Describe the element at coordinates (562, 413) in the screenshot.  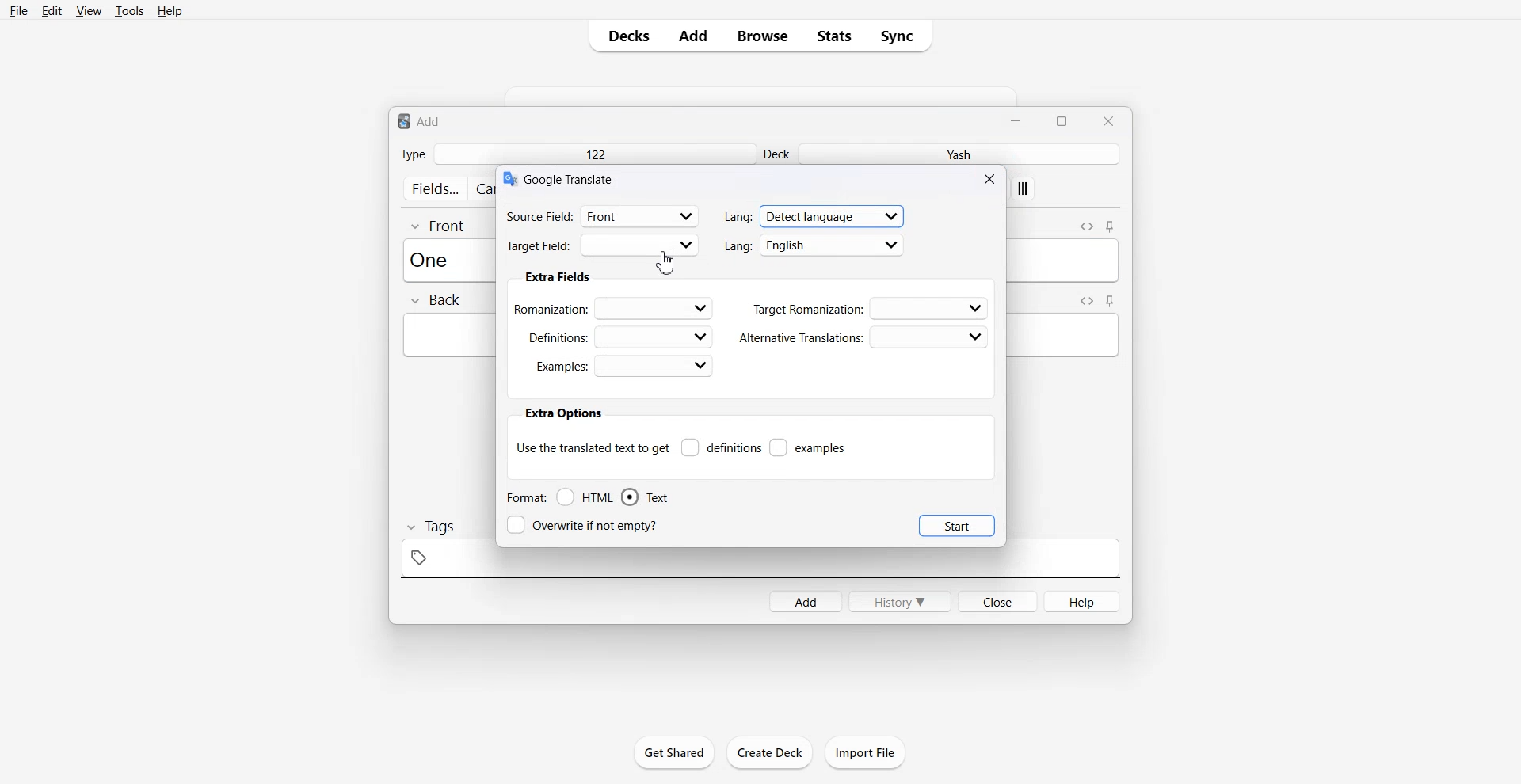
I see `extra options` at that location.